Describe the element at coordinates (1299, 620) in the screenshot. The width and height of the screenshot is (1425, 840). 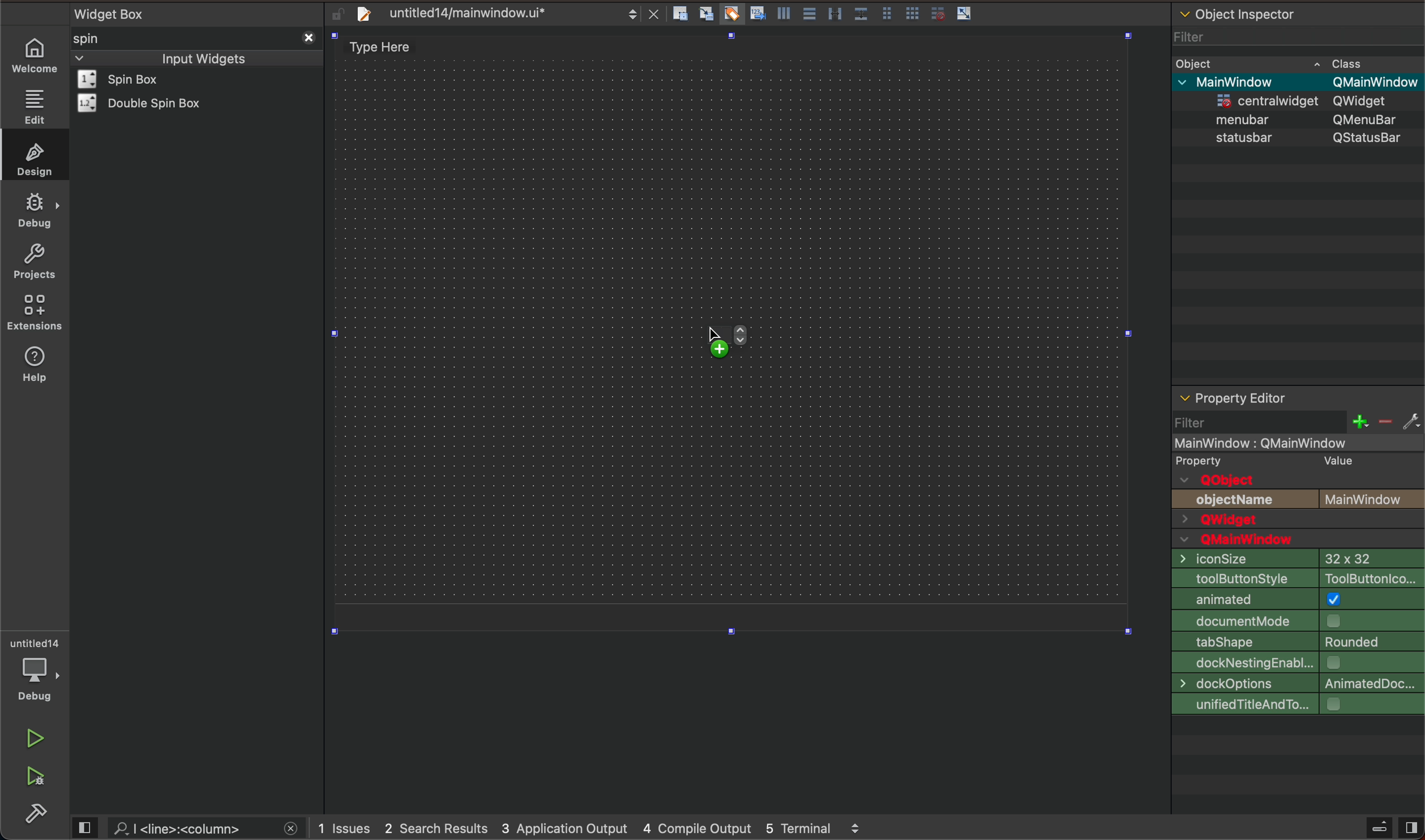
I see `document mode` at that location.